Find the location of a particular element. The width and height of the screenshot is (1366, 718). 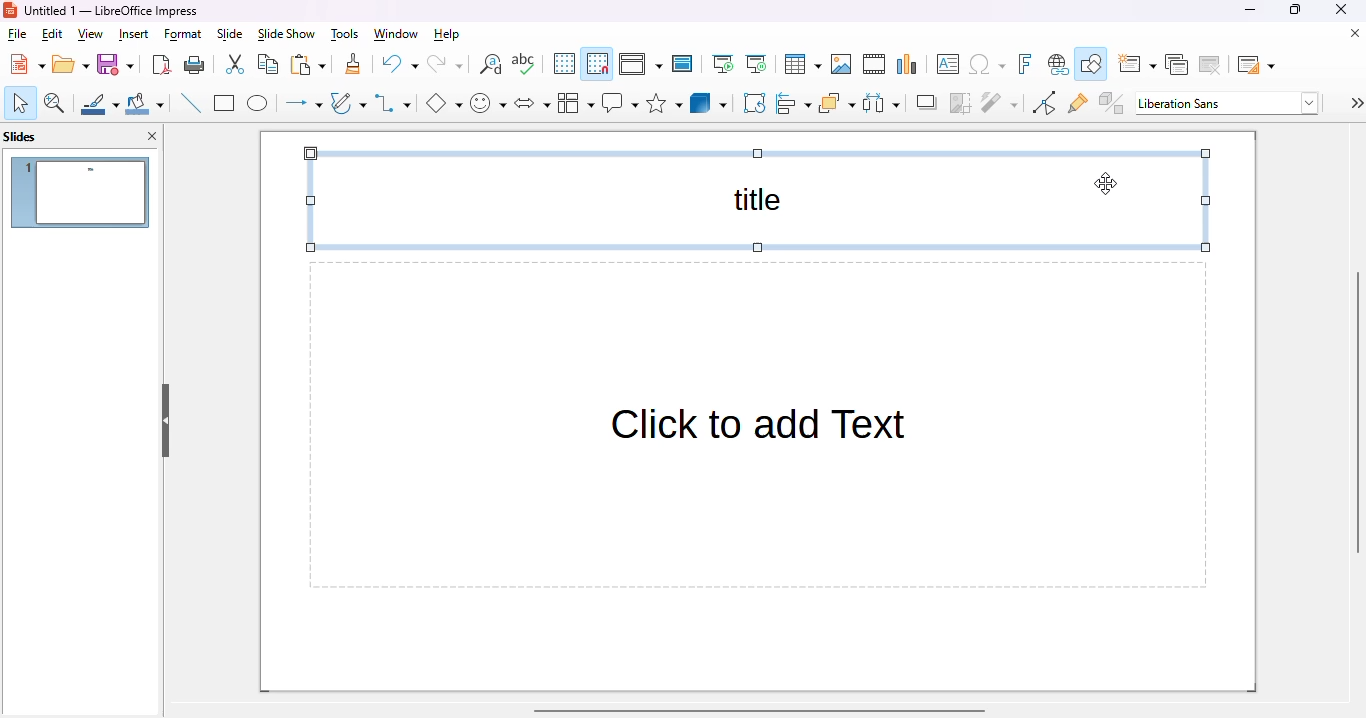

window is located at coordinates (396, 34).